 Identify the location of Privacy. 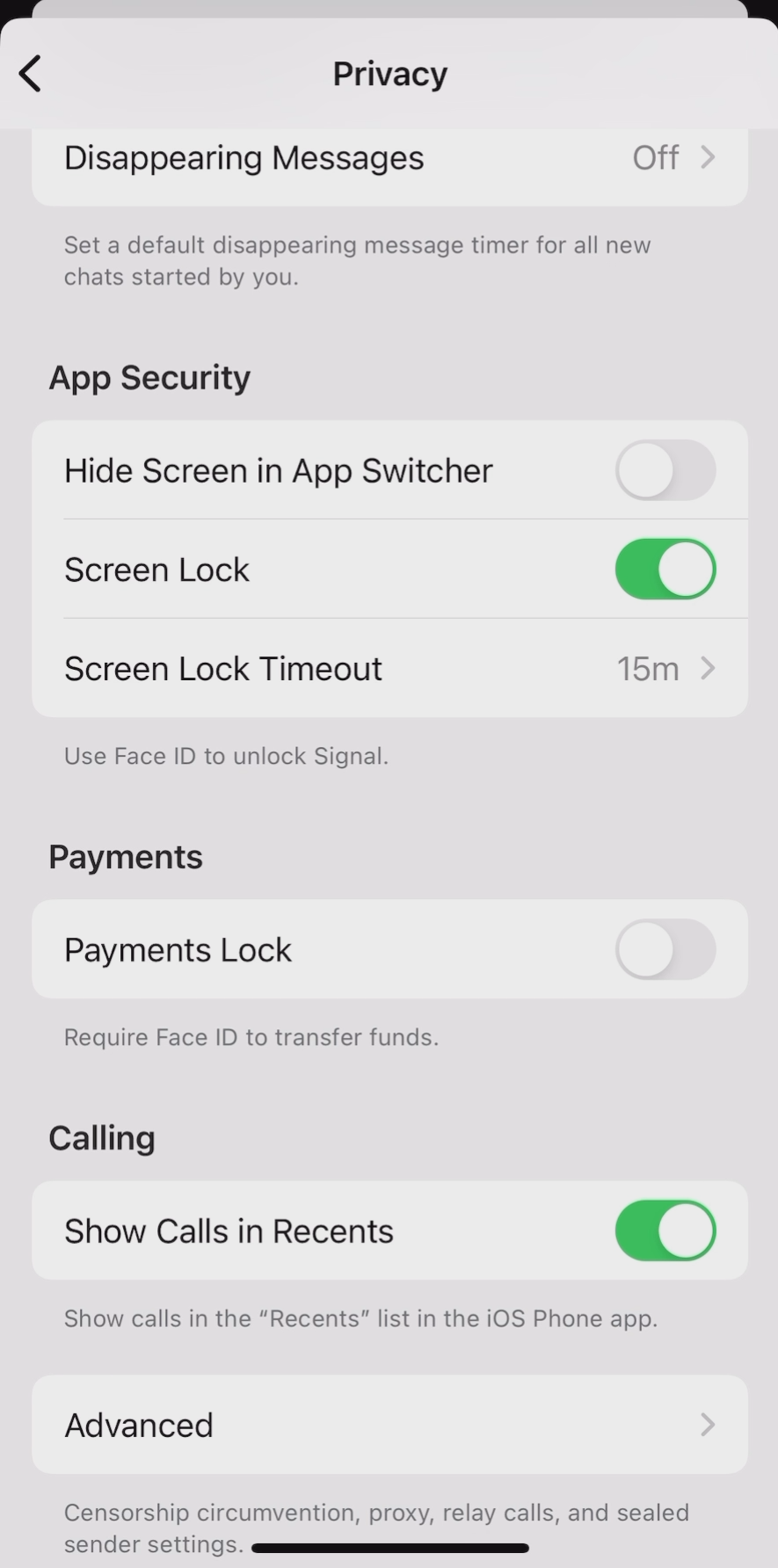
(392, 78).